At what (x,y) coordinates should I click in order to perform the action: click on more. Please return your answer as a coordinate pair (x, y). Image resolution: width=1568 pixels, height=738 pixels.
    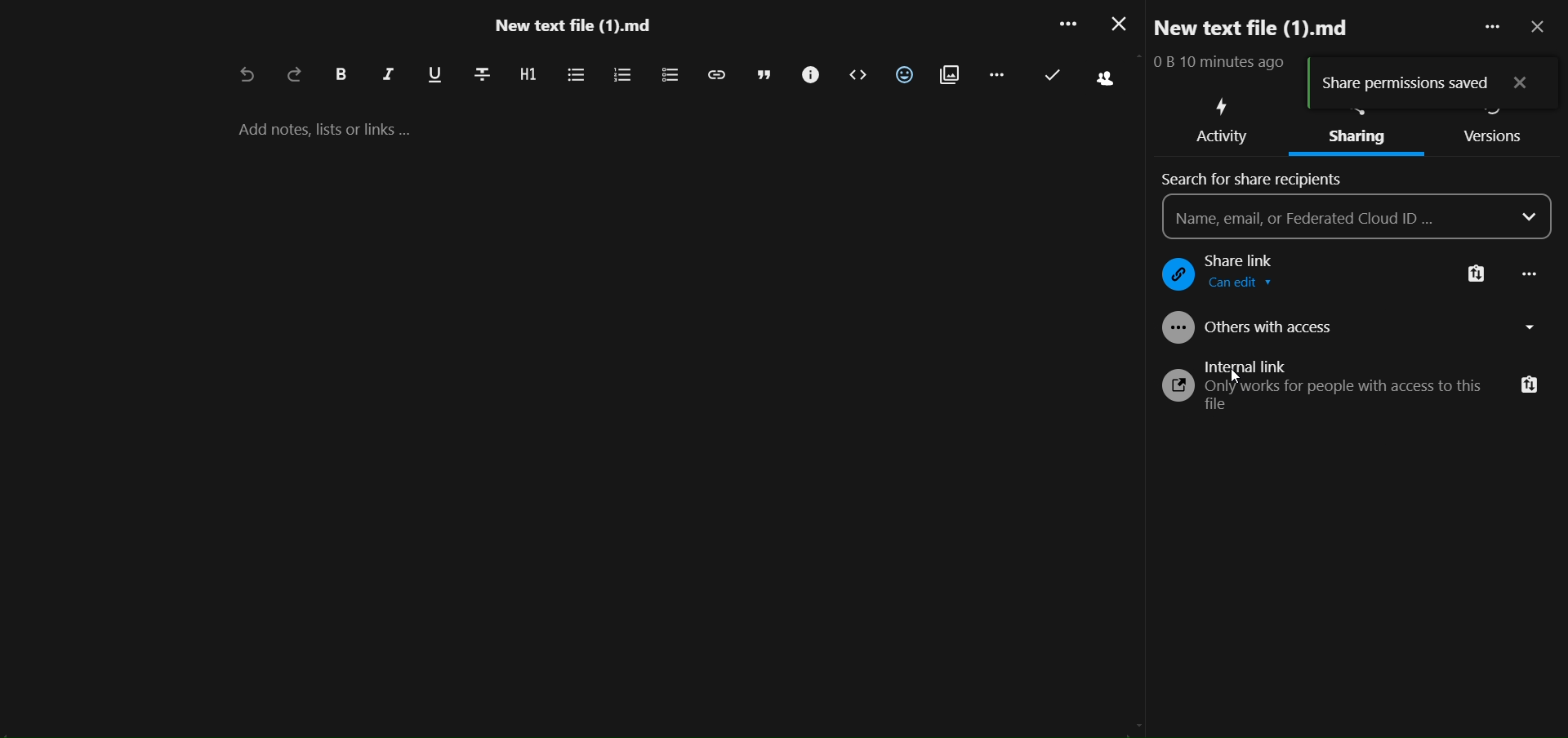
    Looking at the image, I should click on (1063, 27).